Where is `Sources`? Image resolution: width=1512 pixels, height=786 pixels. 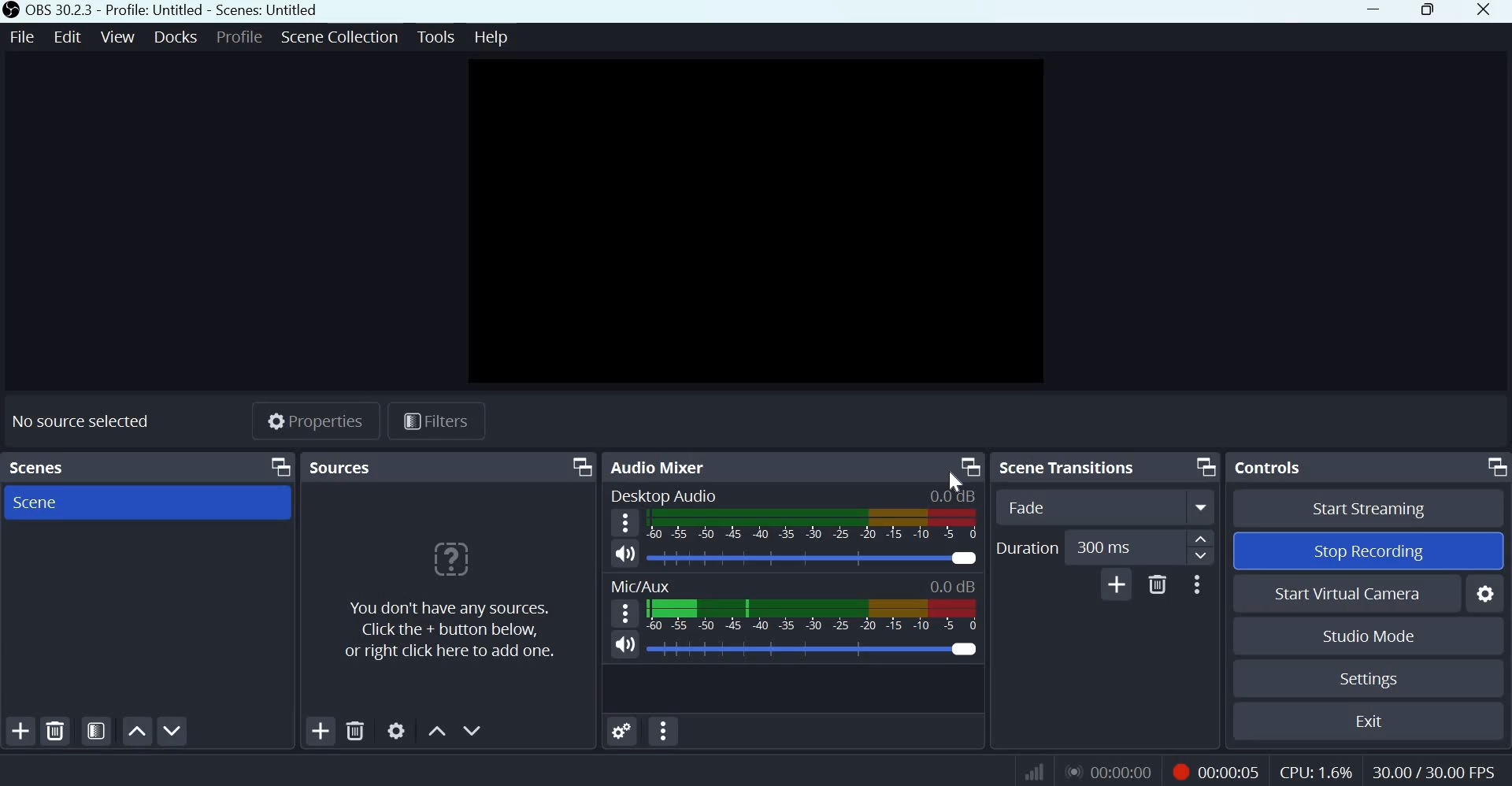 Sources is located at coordinates (402, 467).